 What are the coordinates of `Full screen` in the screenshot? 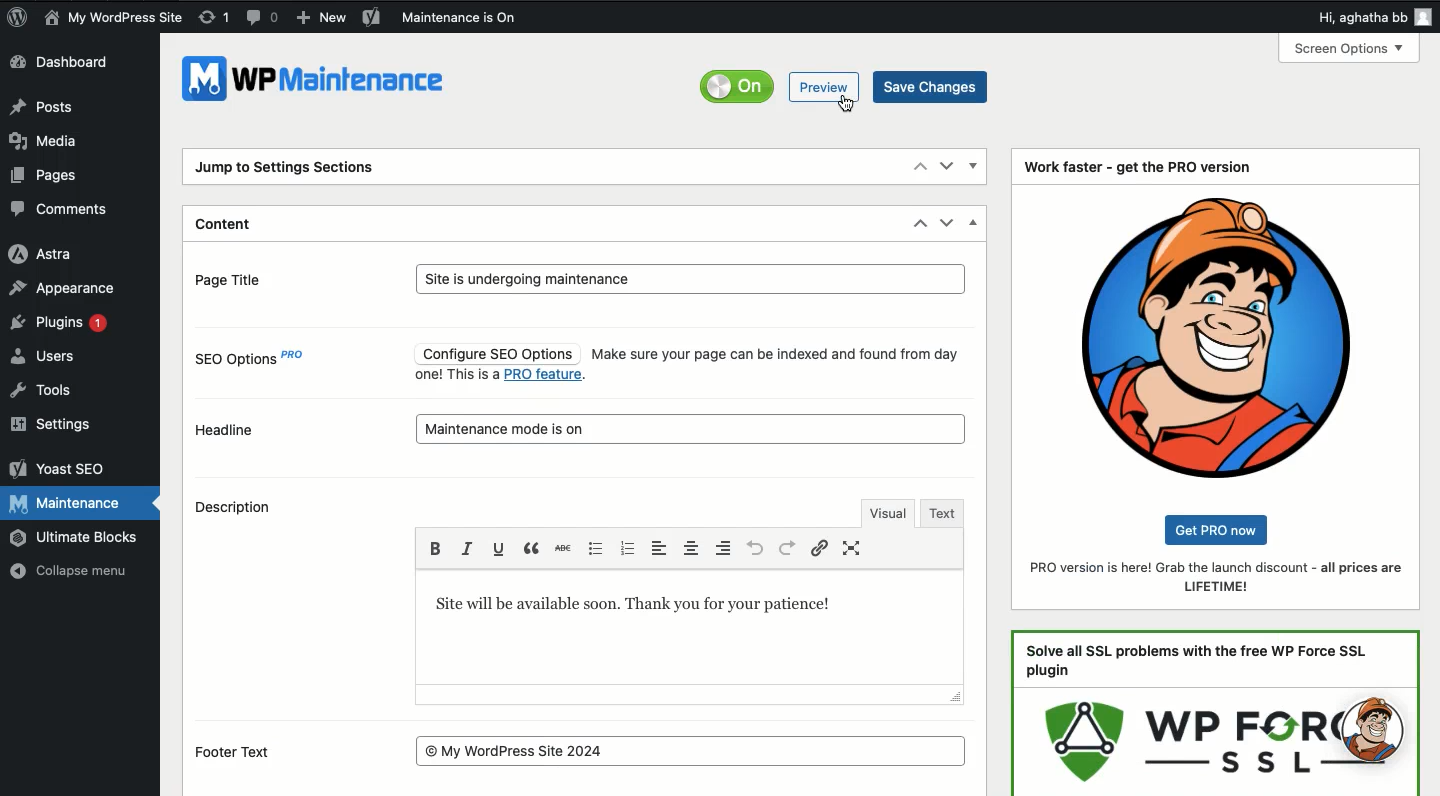 It's located at (855, 548).